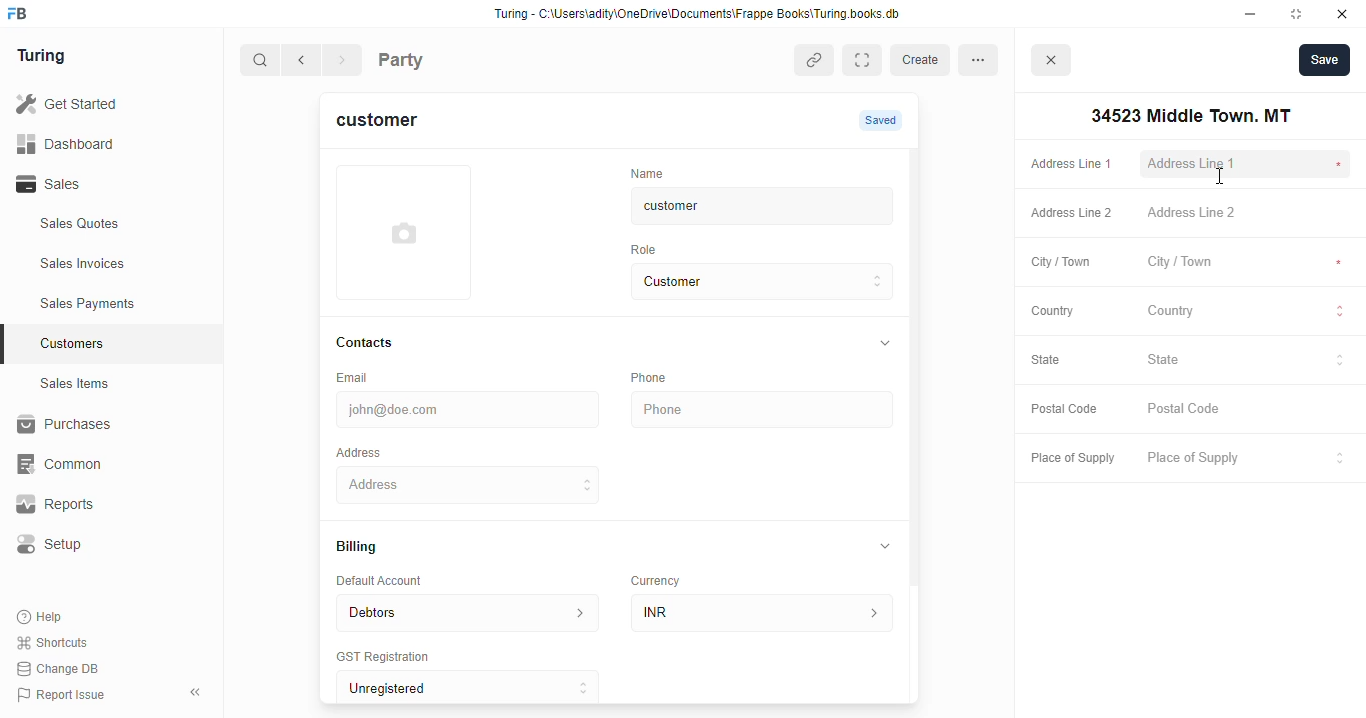  Describe the element at coordinates (46, 57) in the screenshot. I see `Turing` at that location.